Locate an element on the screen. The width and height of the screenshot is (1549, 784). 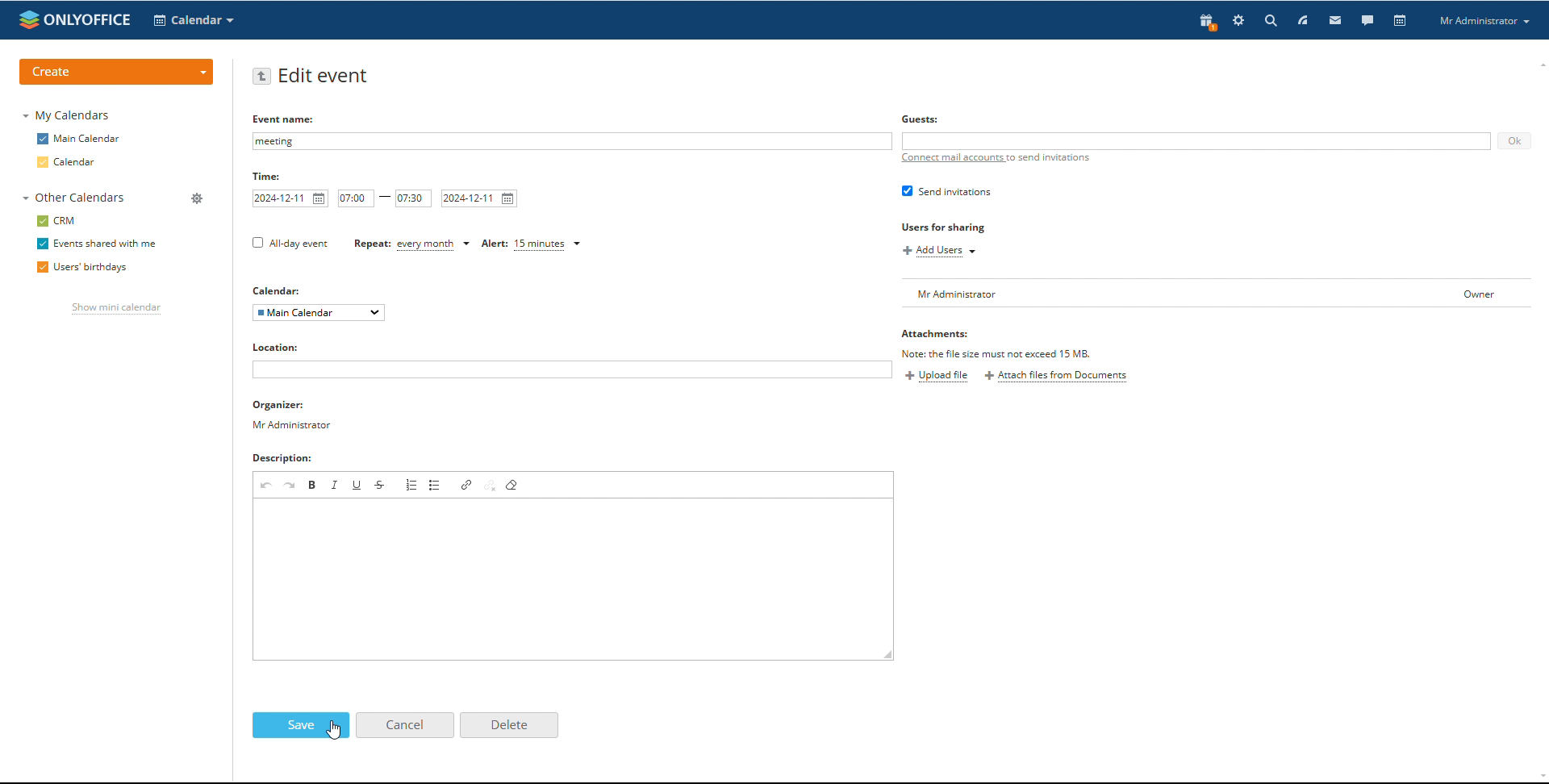
create is located at coordinates (118, 72).